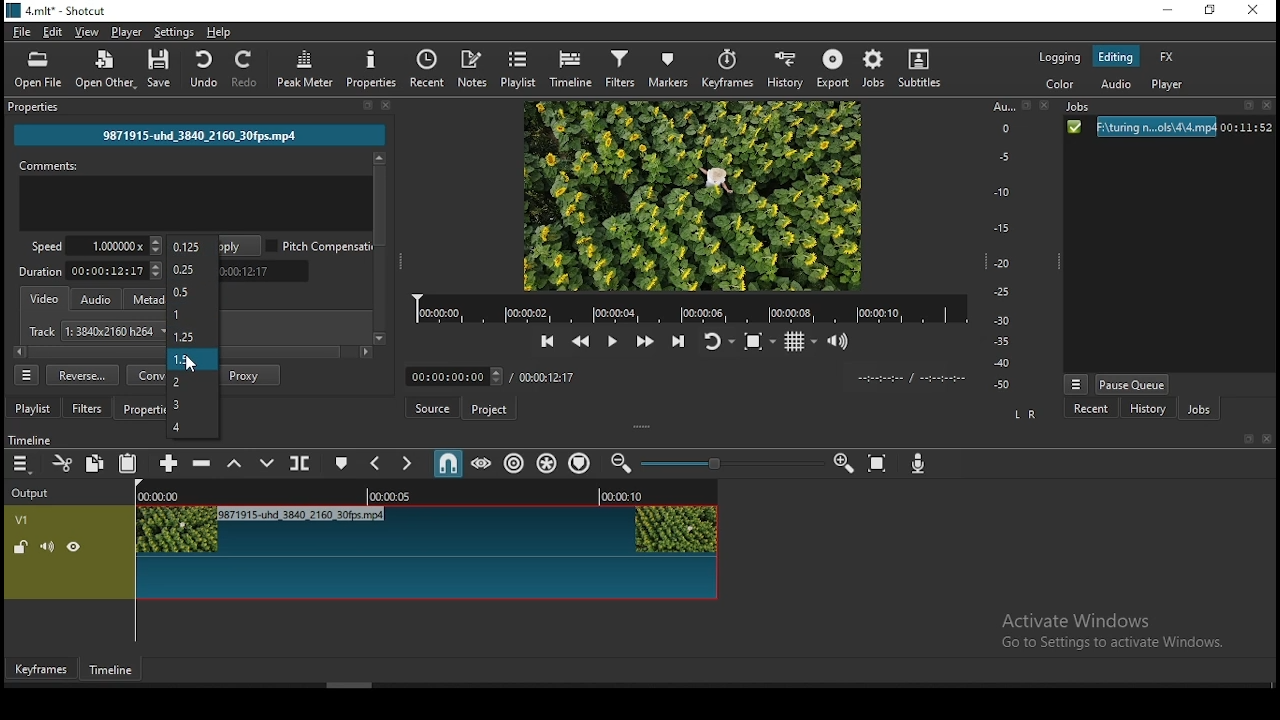  What do you see at coordinates (786, 69) in the screenshot?
I see `history` at bounding box center [786, 69].